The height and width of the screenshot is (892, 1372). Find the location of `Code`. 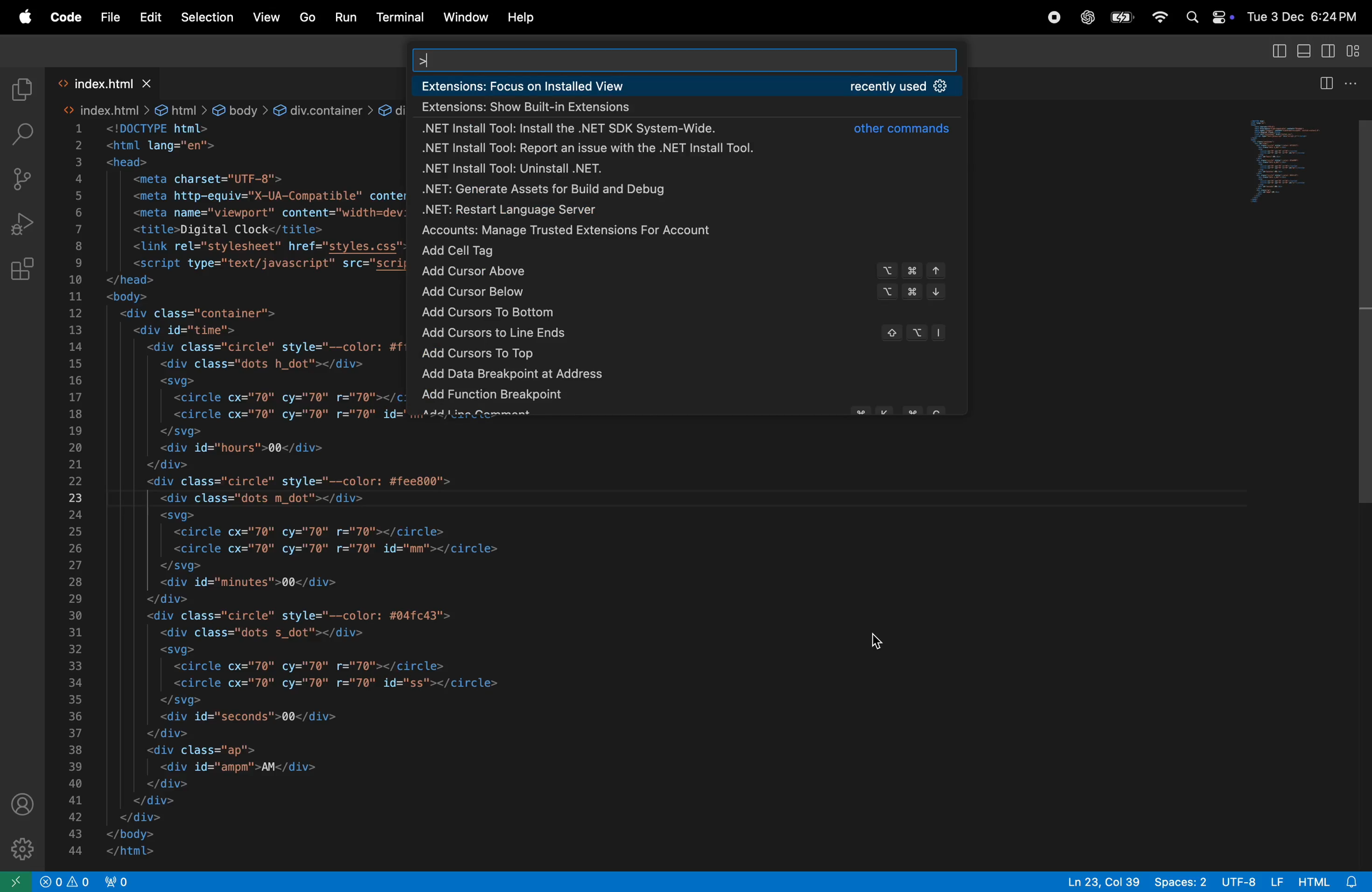

Code is located at coordinates (65, 16).